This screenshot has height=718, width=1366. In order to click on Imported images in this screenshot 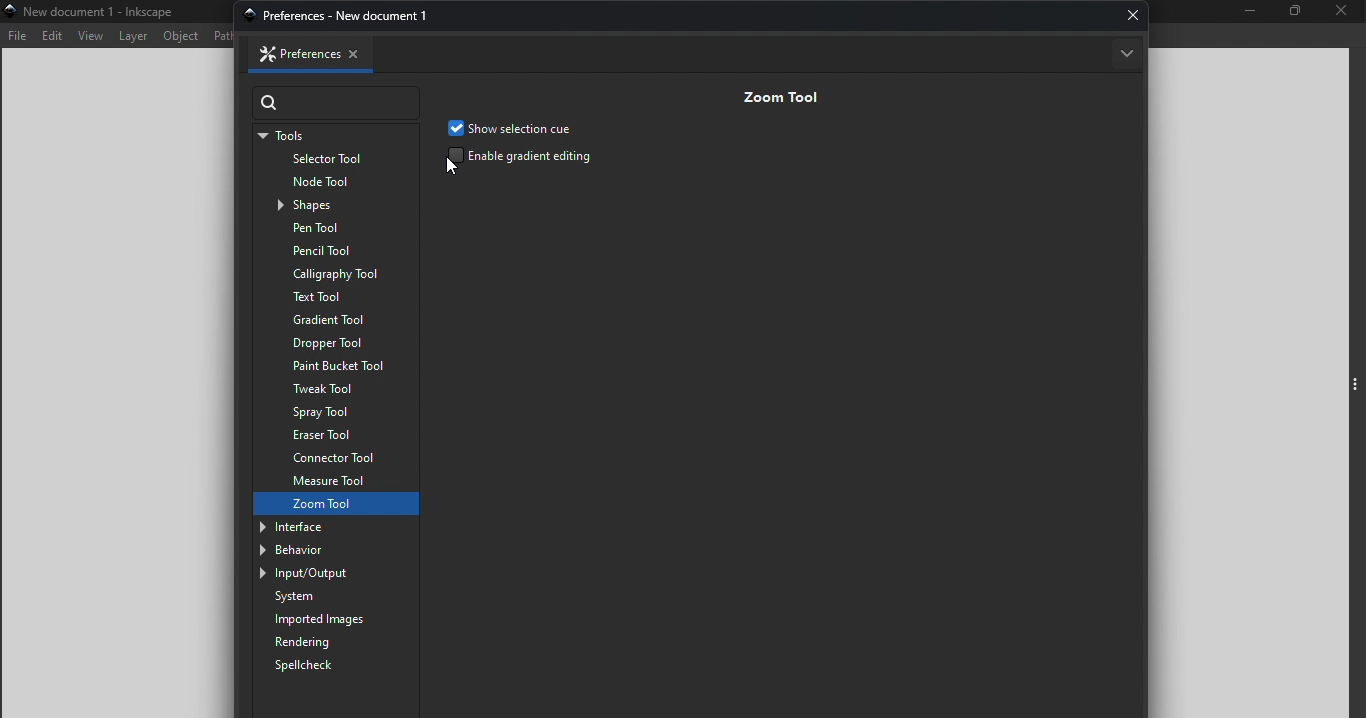, I will do `click(329, 619)`.